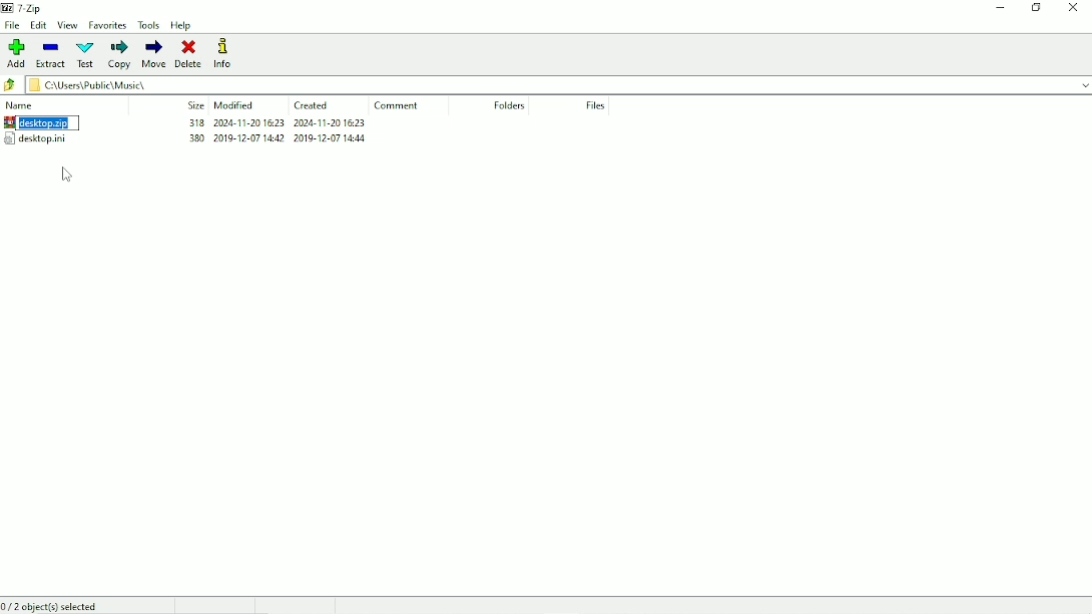 This screenshot has width=1092, height=614. What do you see at coordinates (118, 56) in the screenshot?
I see `Copy` at bounding box center [118, 56].